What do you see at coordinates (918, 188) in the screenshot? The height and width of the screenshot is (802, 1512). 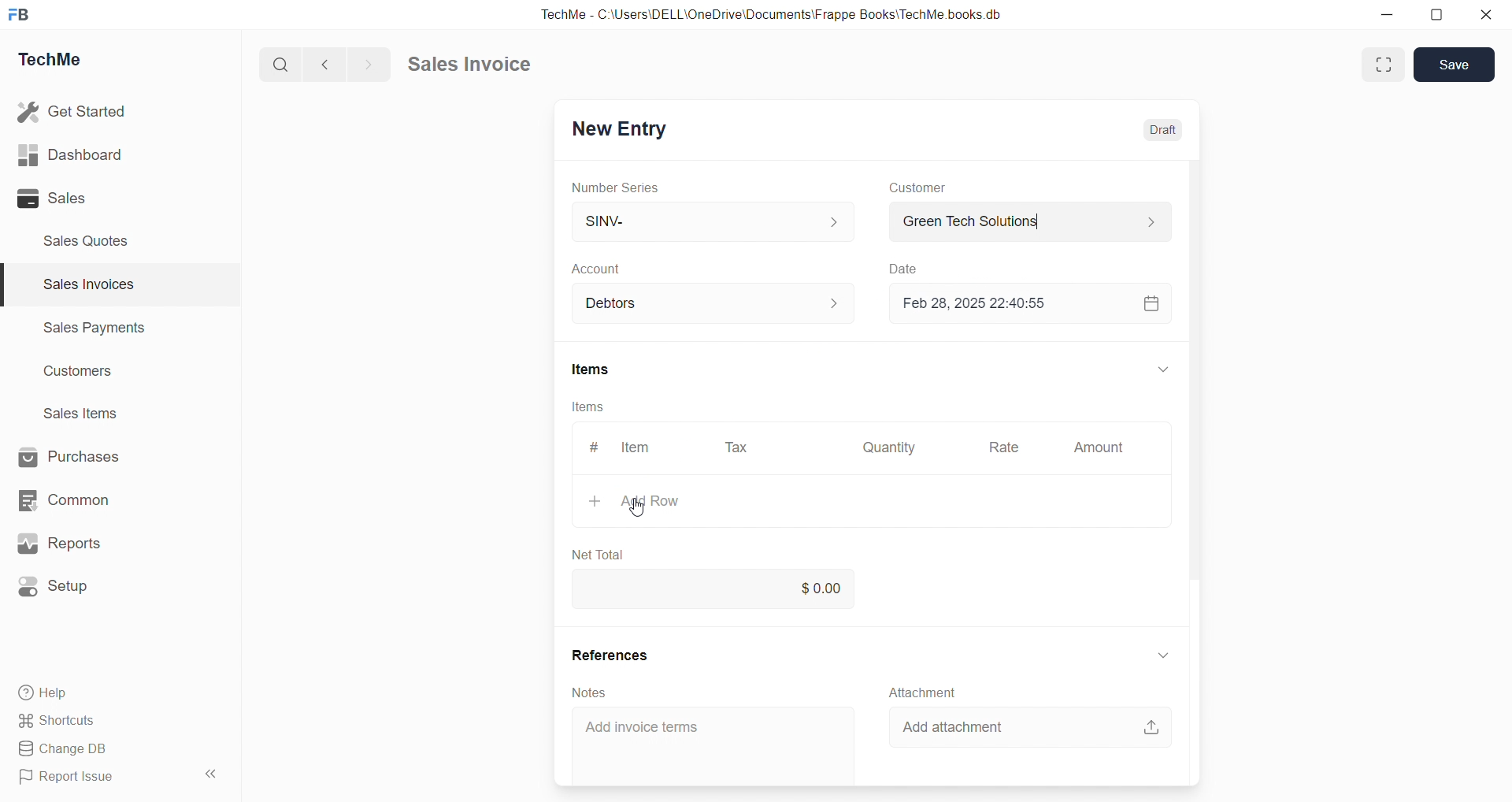 I see `Customer` at bounding box center [918, 188].